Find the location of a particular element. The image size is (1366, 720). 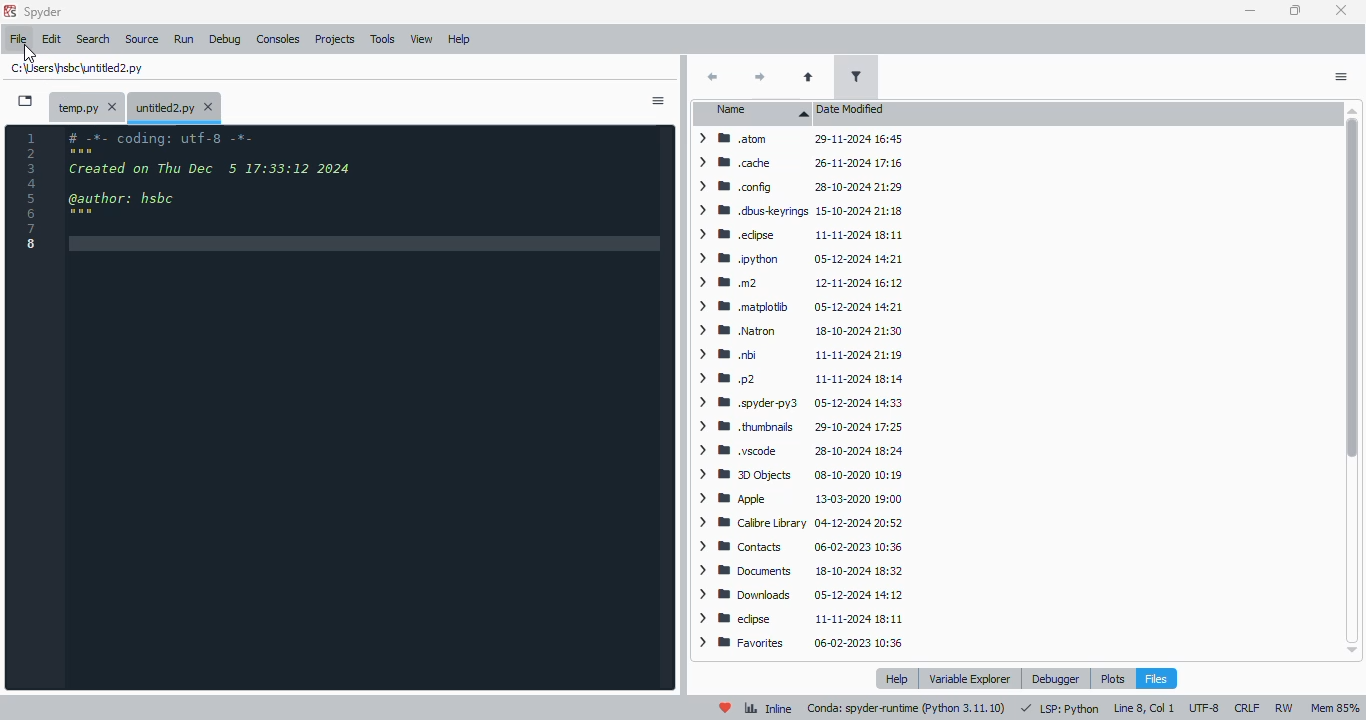

plots is located at coordinates (1112, 678).